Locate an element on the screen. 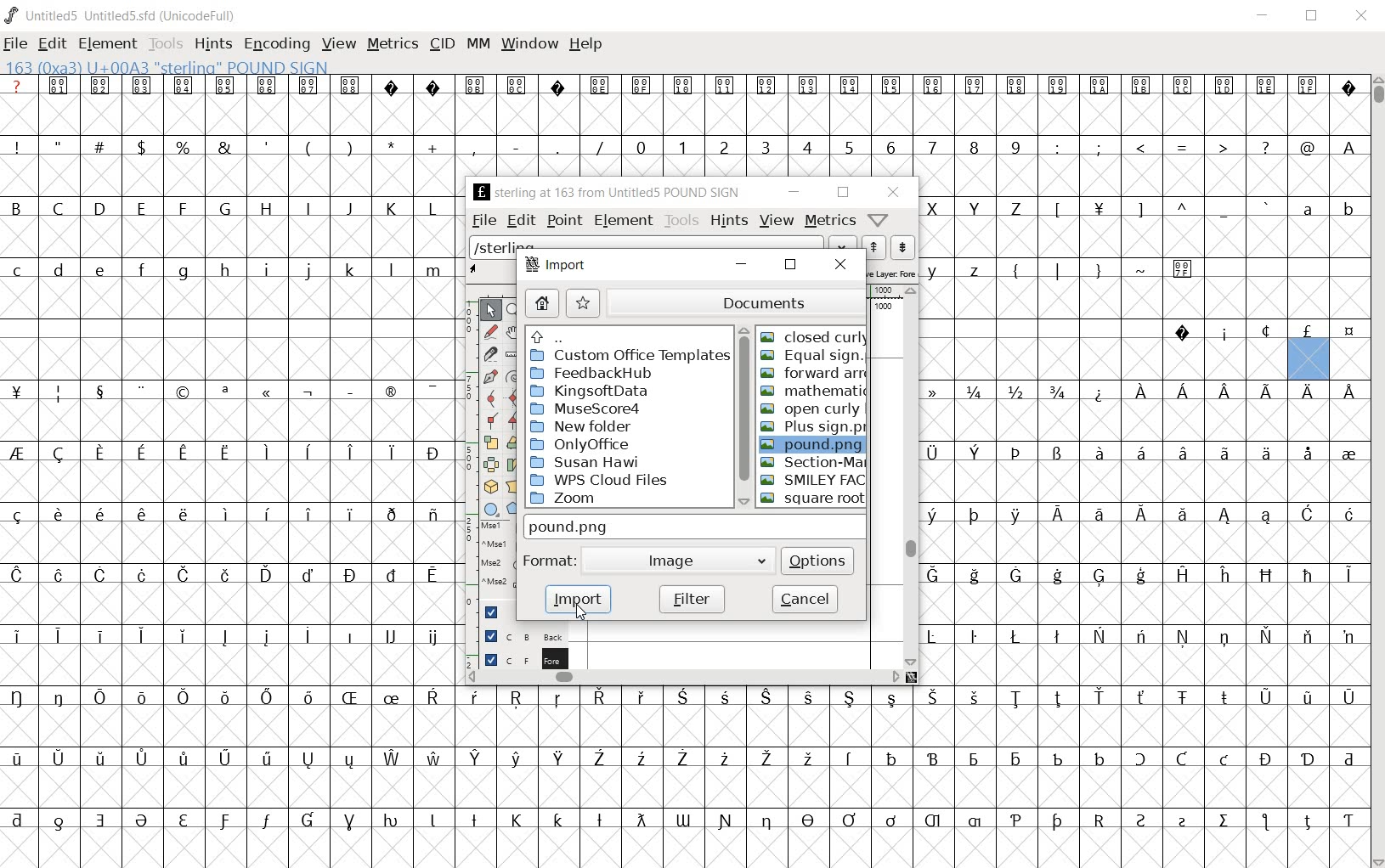  Symbol is located at coordinates (938, 575).